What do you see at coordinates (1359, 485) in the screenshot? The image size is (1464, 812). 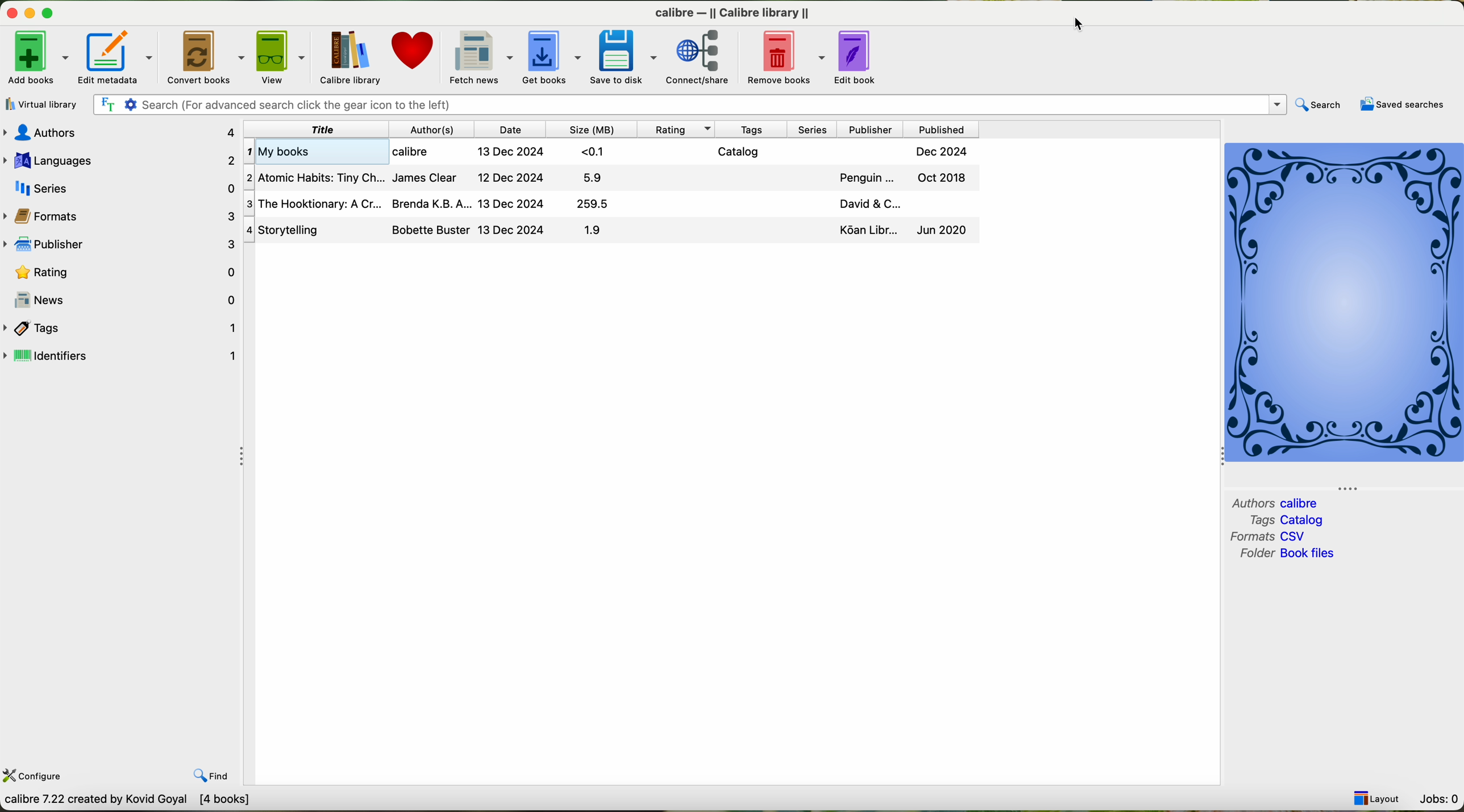 I see `collapse` at bounding box center [1359, 485].